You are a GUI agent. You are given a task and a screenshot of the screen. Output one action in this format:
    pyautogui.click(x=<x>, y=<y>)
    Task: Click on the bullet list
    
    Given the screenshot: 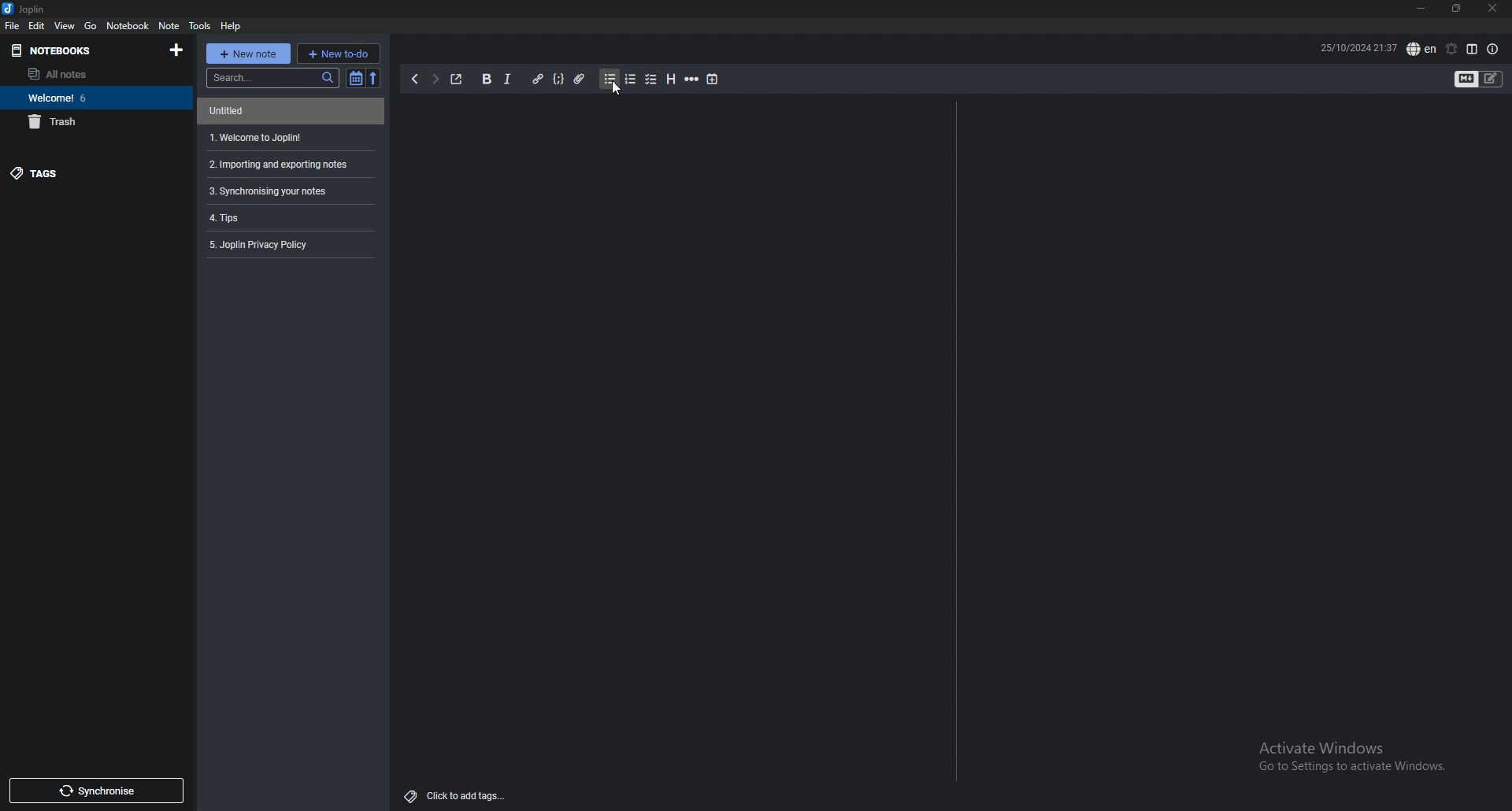 What is the action you would take?
    pyautogui.click(x=603, y=78)
    